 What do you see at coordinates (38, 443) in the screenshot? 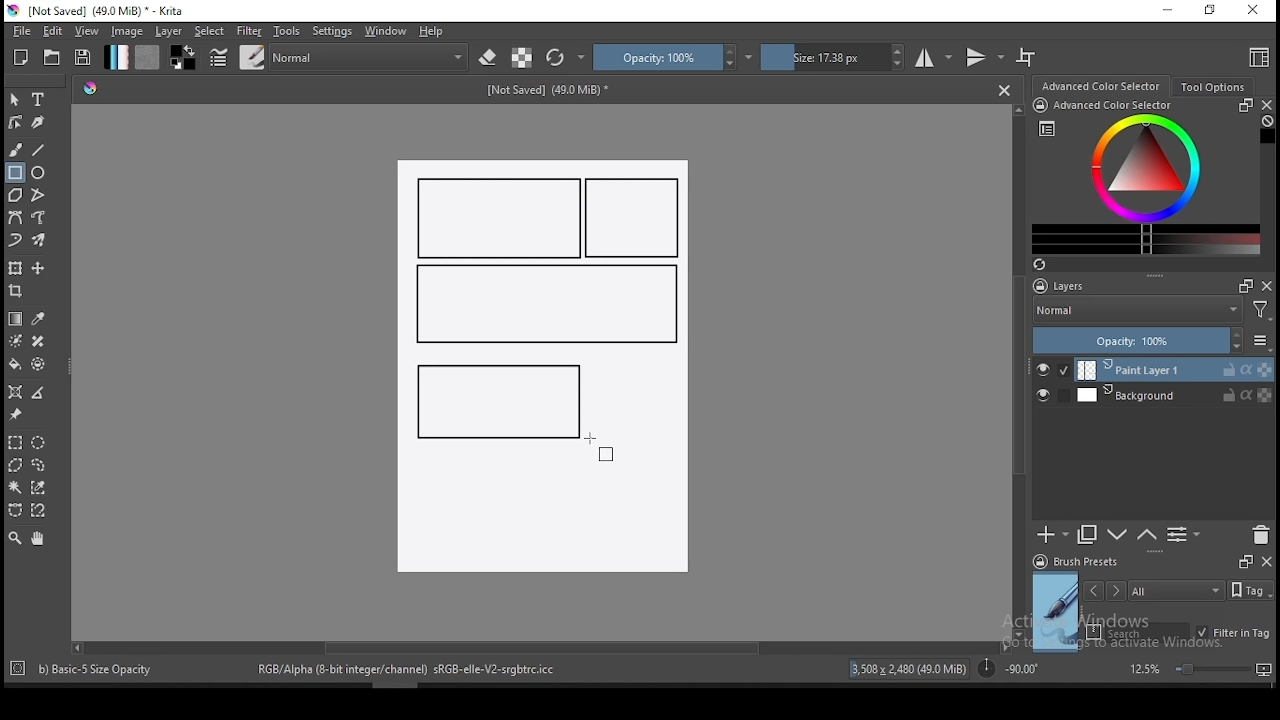
I see `elliptical selection tool` at bounding box center [38, 443].